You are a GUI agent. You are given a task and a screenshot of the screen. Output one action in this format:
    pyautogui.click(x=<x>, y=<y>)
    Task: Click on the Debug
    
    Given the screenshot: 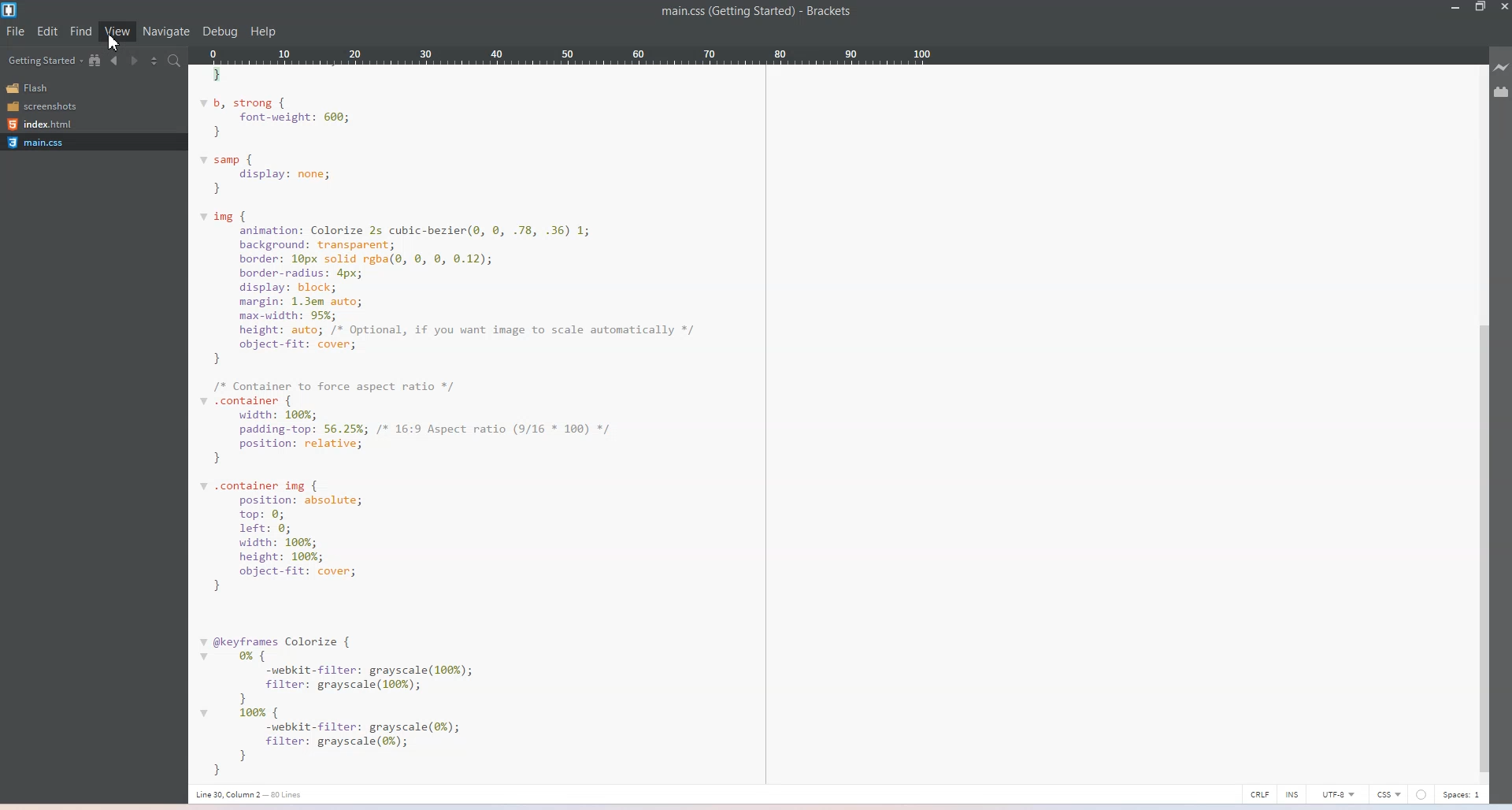 What is the action you would take?
    pyautogui.click(x=220, y=32)
    